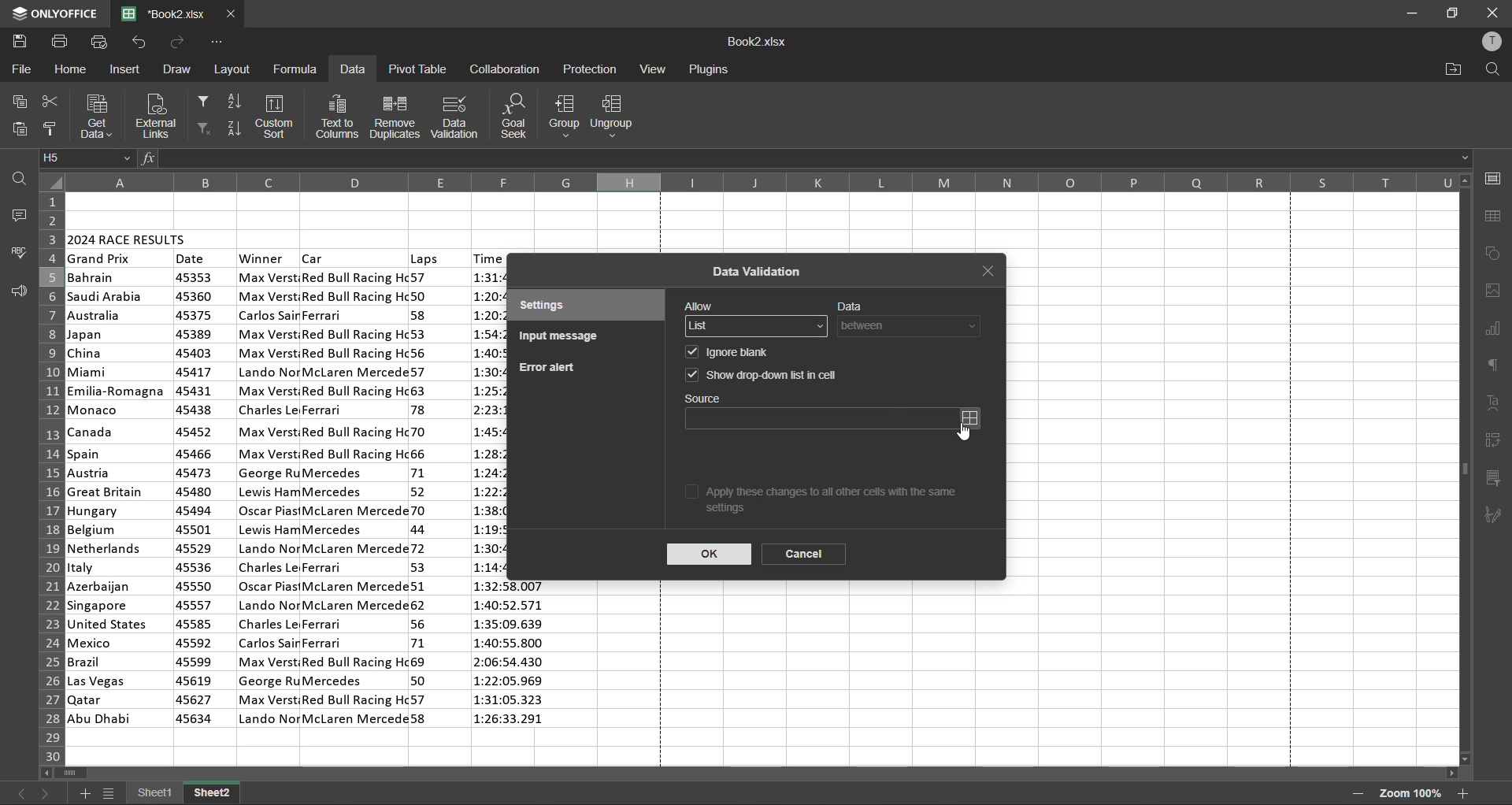 This screenshot has height=805, width=1512. What do you see at coordinates (850, 303) in the screenshot?
I see `data` at bounding box center [850, 303].